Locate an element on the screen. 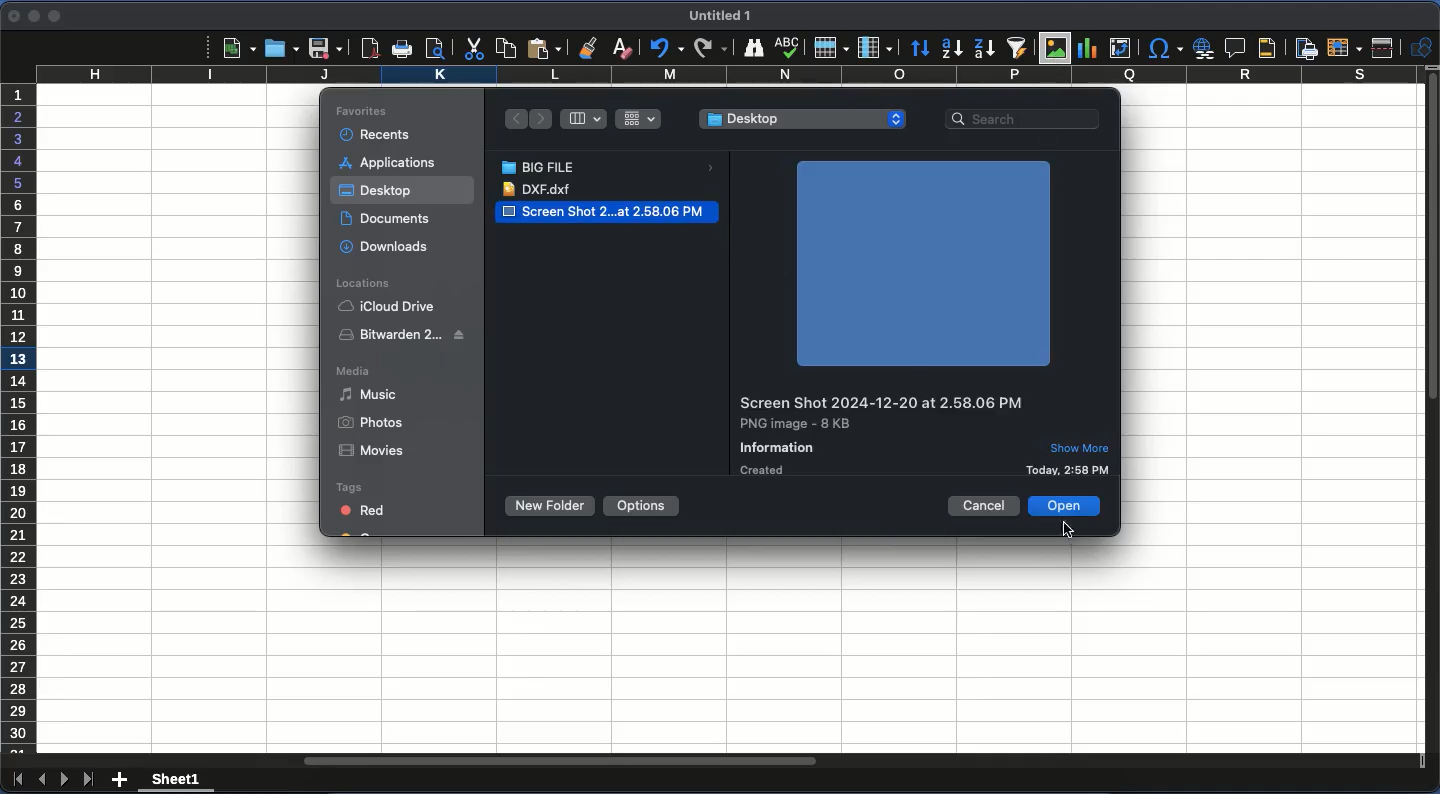  paste is located at coordinates (545, 47).